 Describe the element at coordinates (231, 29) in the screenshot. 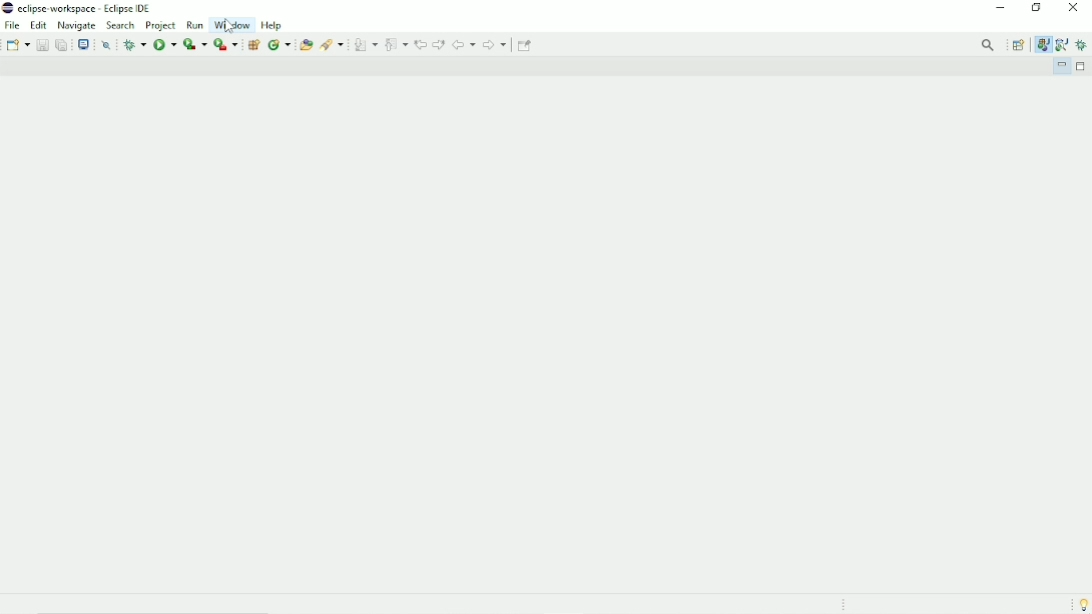

I see `Cursor` at that location.